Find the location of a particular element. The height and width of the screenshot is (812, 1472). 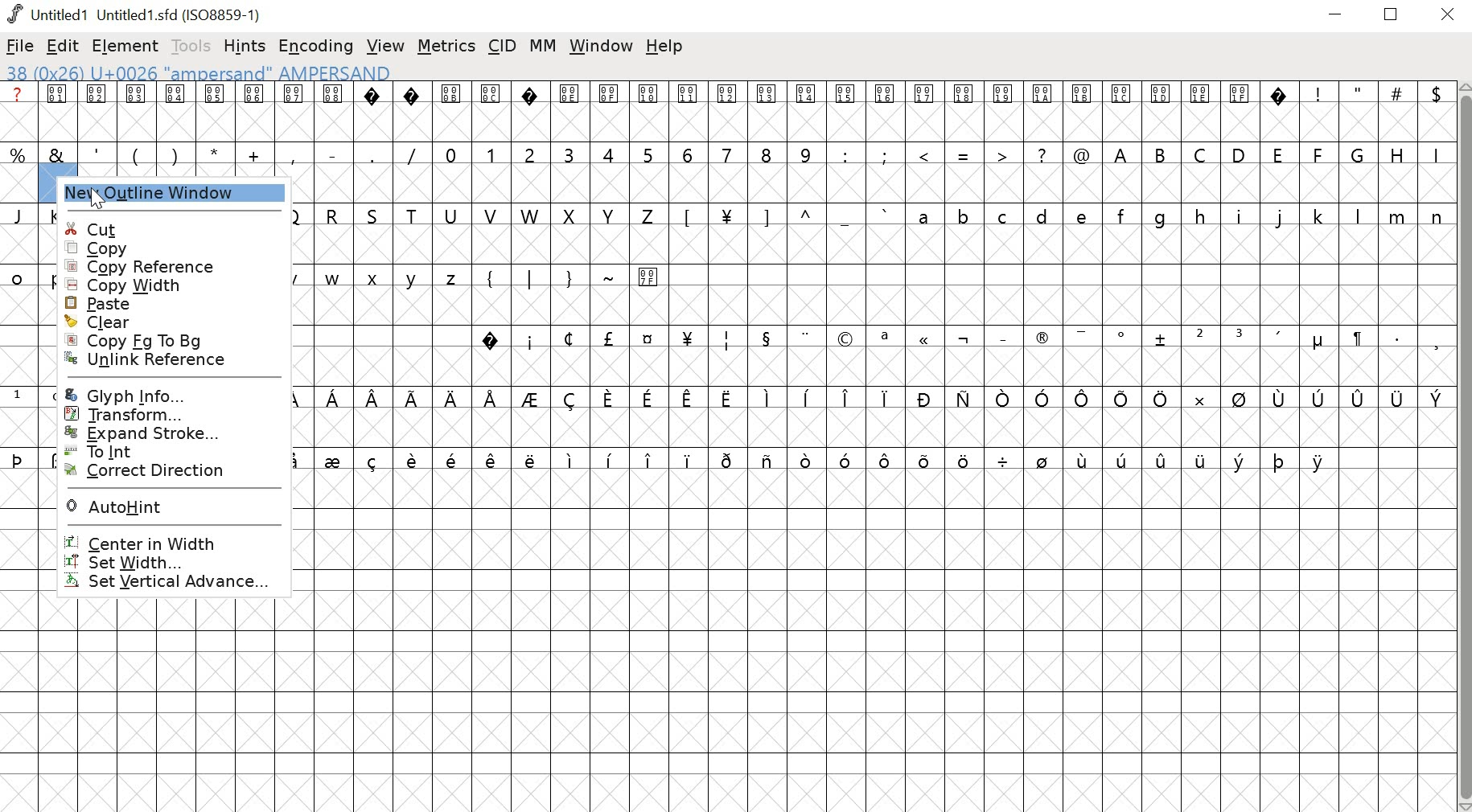

0004 is located at coordinates (175, 112).